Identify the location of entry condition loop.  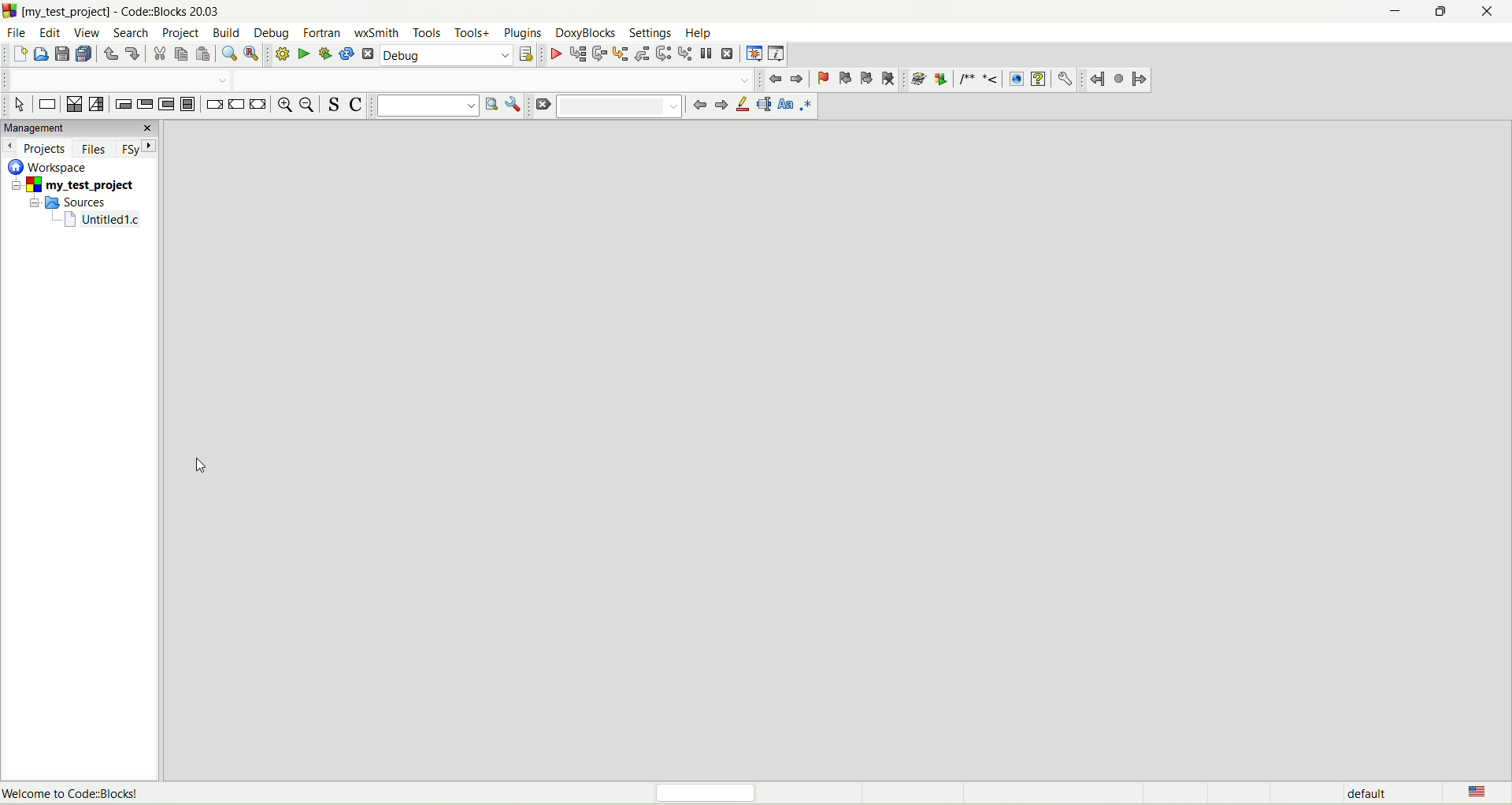
(123, 103).